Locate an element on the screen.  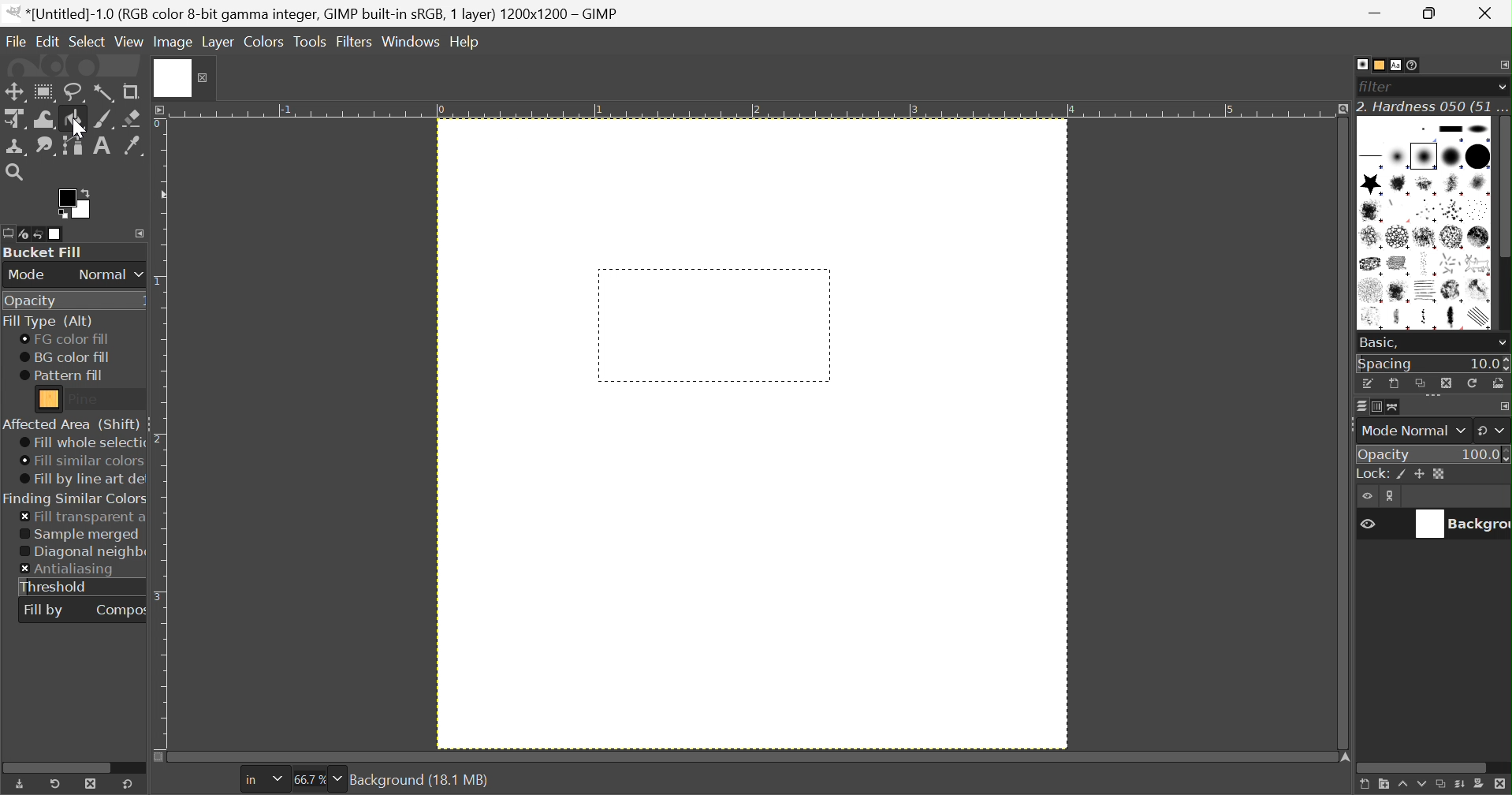
10.0 is located at coordinates (1489, 364).